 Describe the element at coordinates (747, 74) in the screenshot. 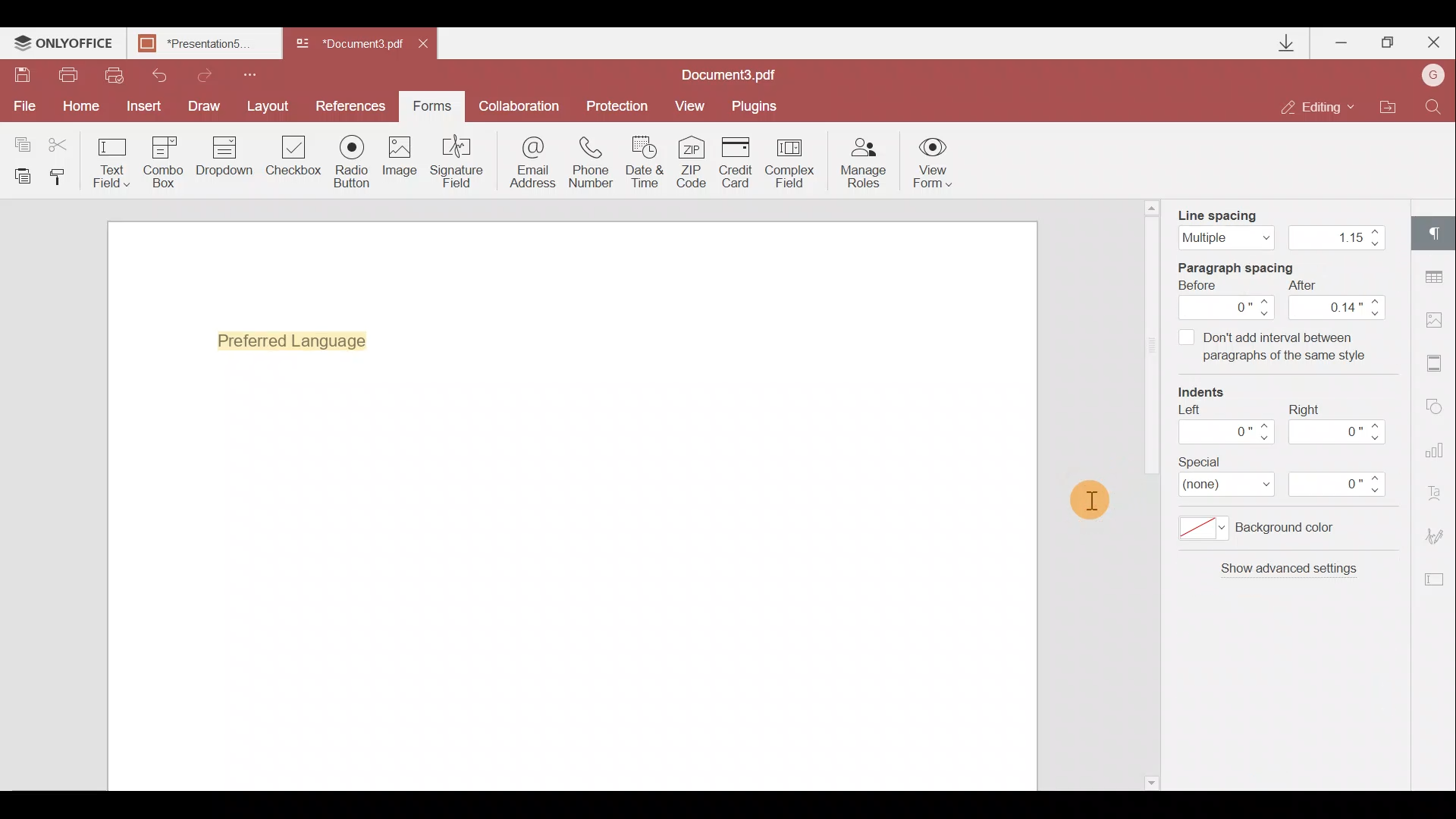

I see `Document3.pdf` at that location.